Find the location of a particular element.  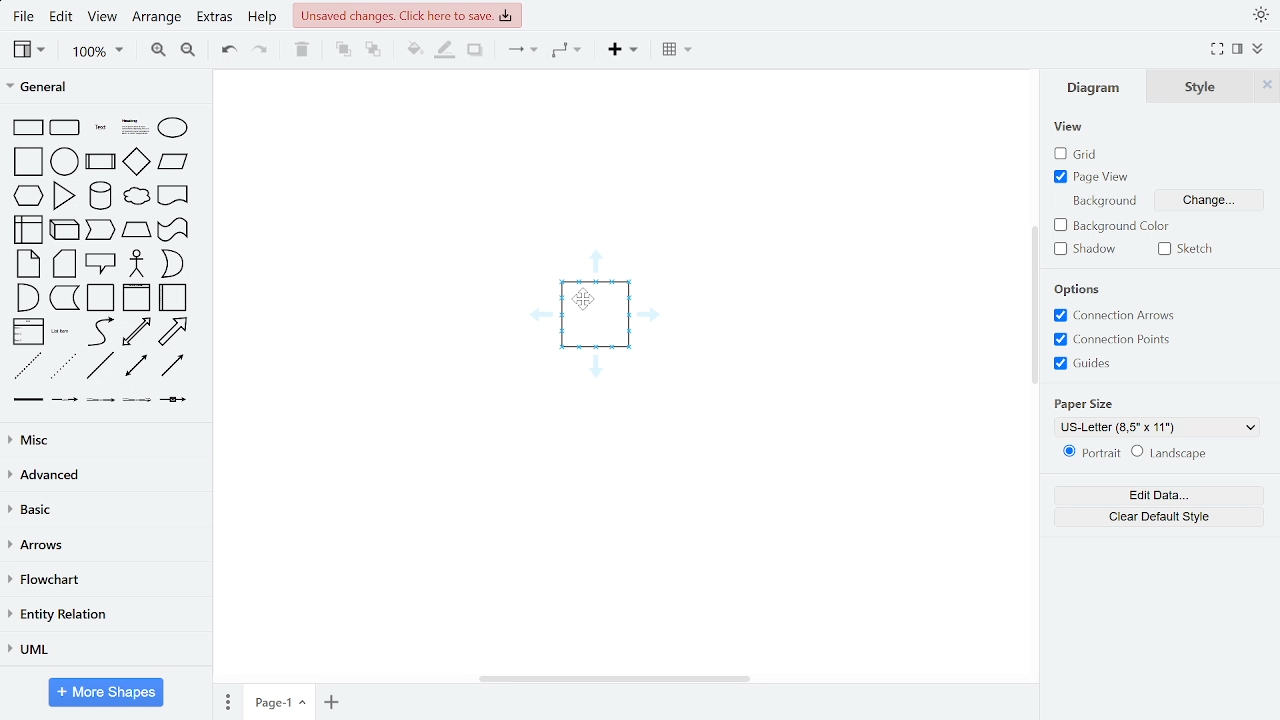

horizontal scrollbar is located at coordinates (614, 678).